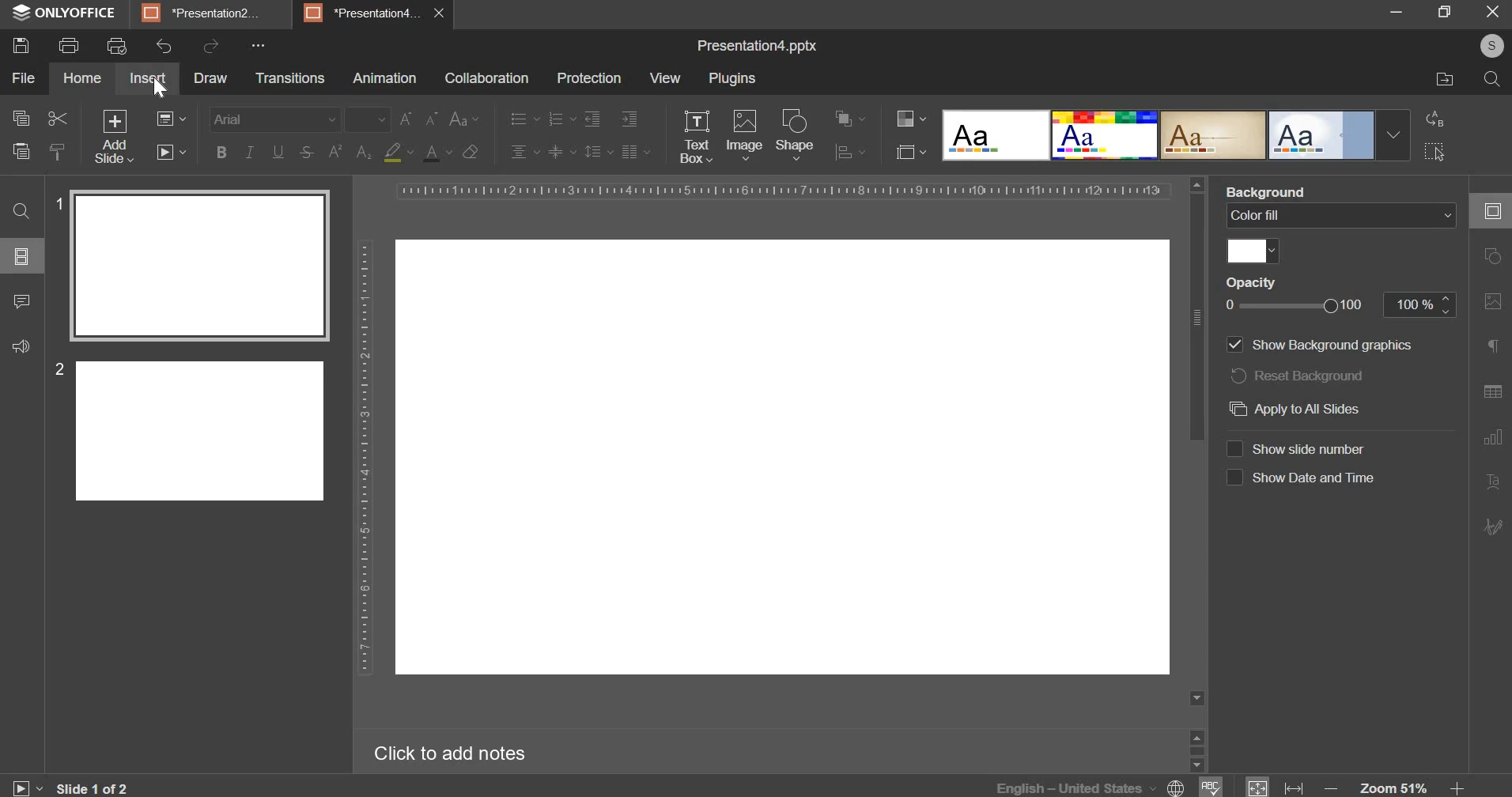  I want to click on reset background, so click(1297, 376).